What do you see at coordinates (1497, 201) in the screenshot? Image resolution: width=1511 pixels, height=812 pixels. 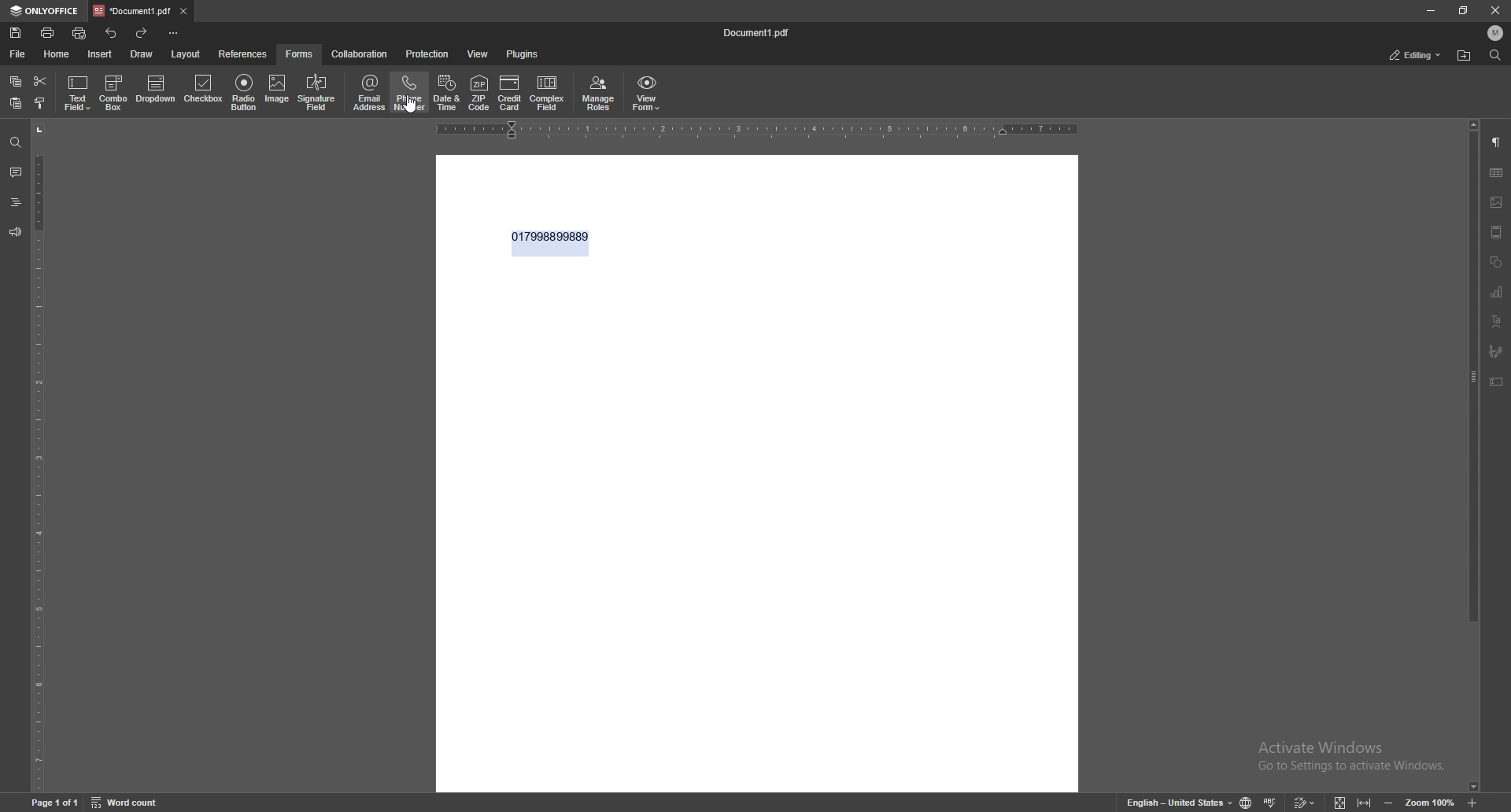 I see `image` at bounding box center [1497, 201].